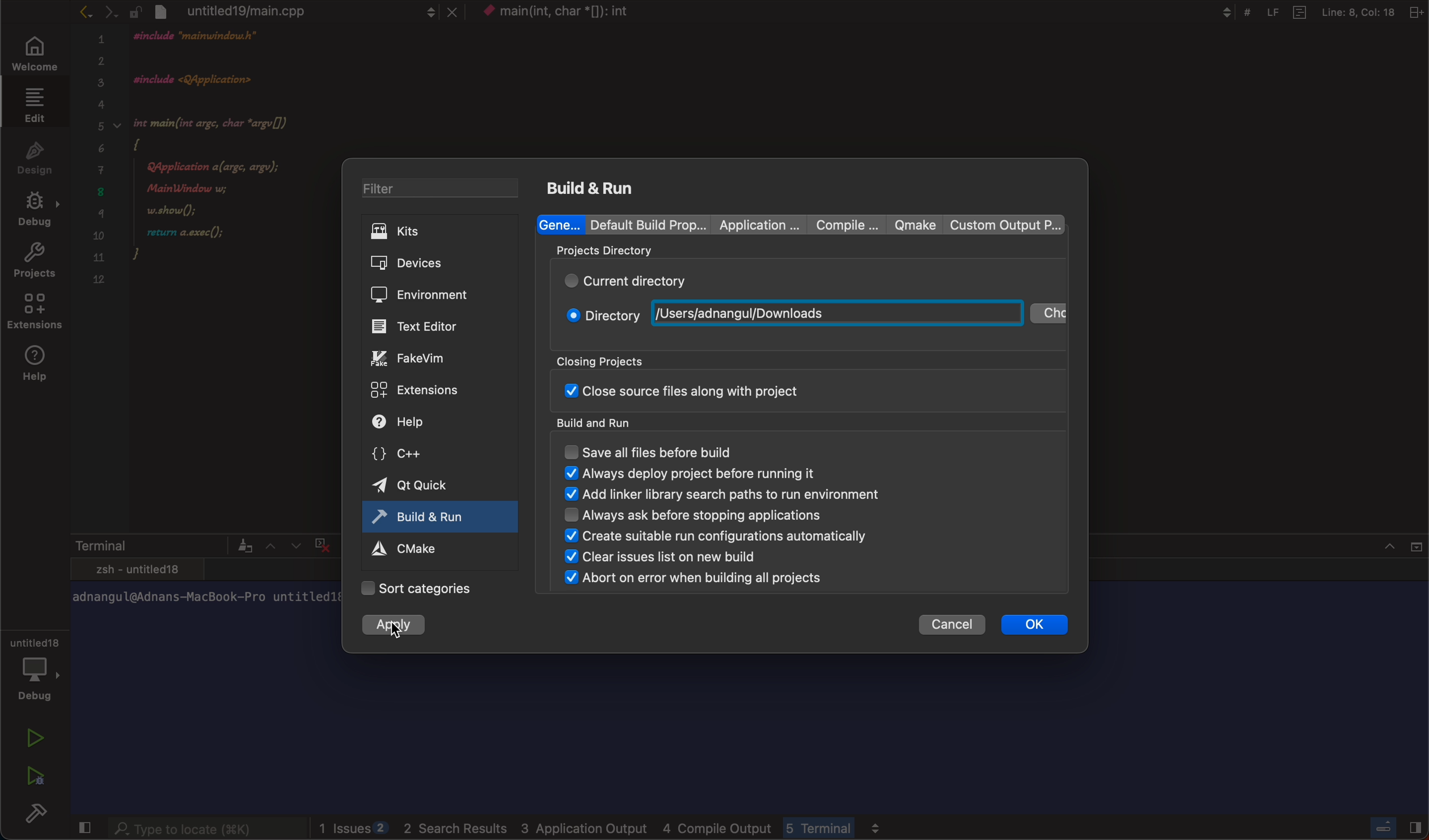 The height and width of the screenshot is (840, 1429). Describe the element at coordinates (606, 422) in the screenshot. I see `build and run ` at that location.